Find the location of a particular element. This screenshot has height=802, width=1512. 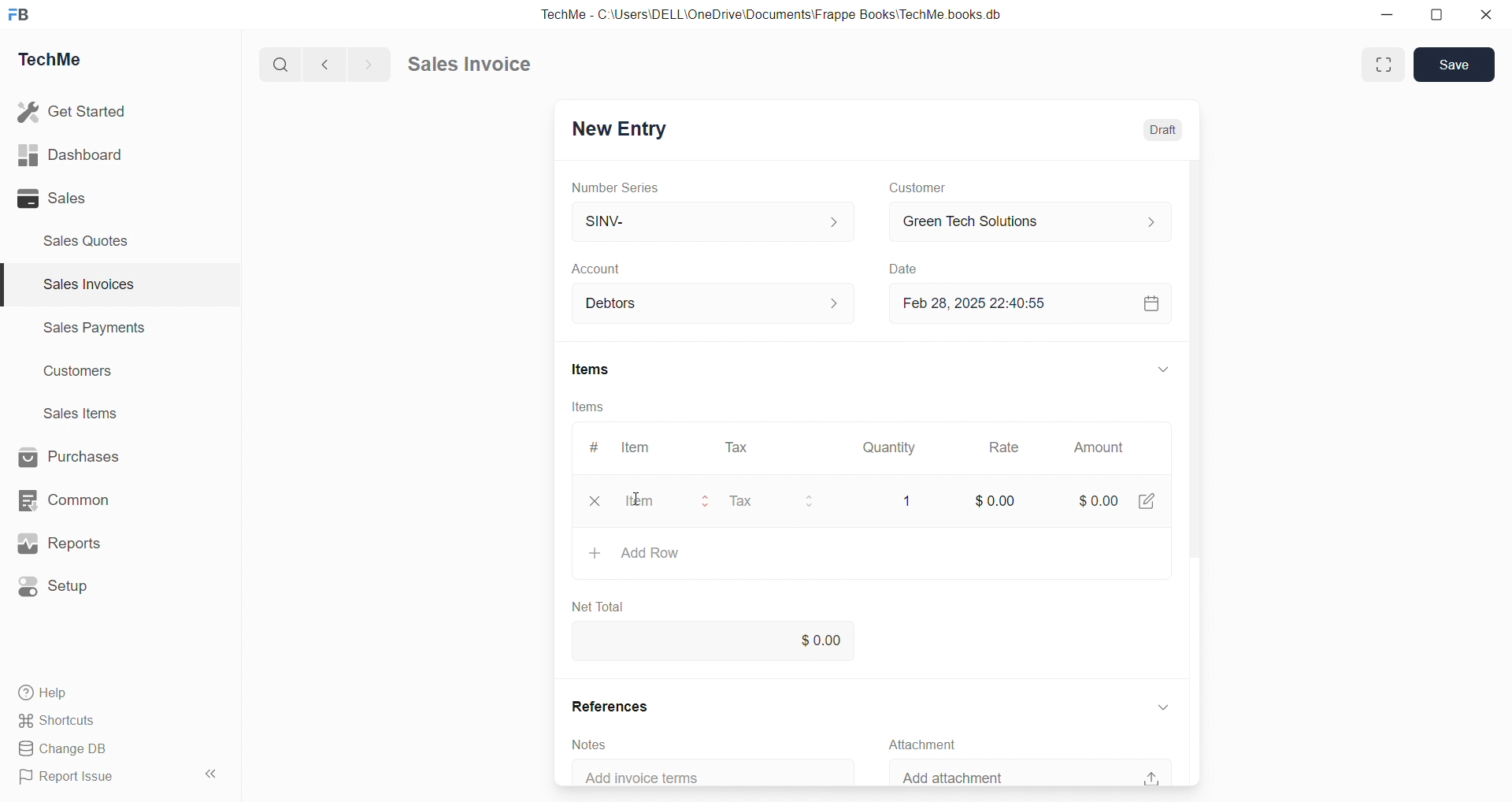

Items is located at coordinates (587, 407).